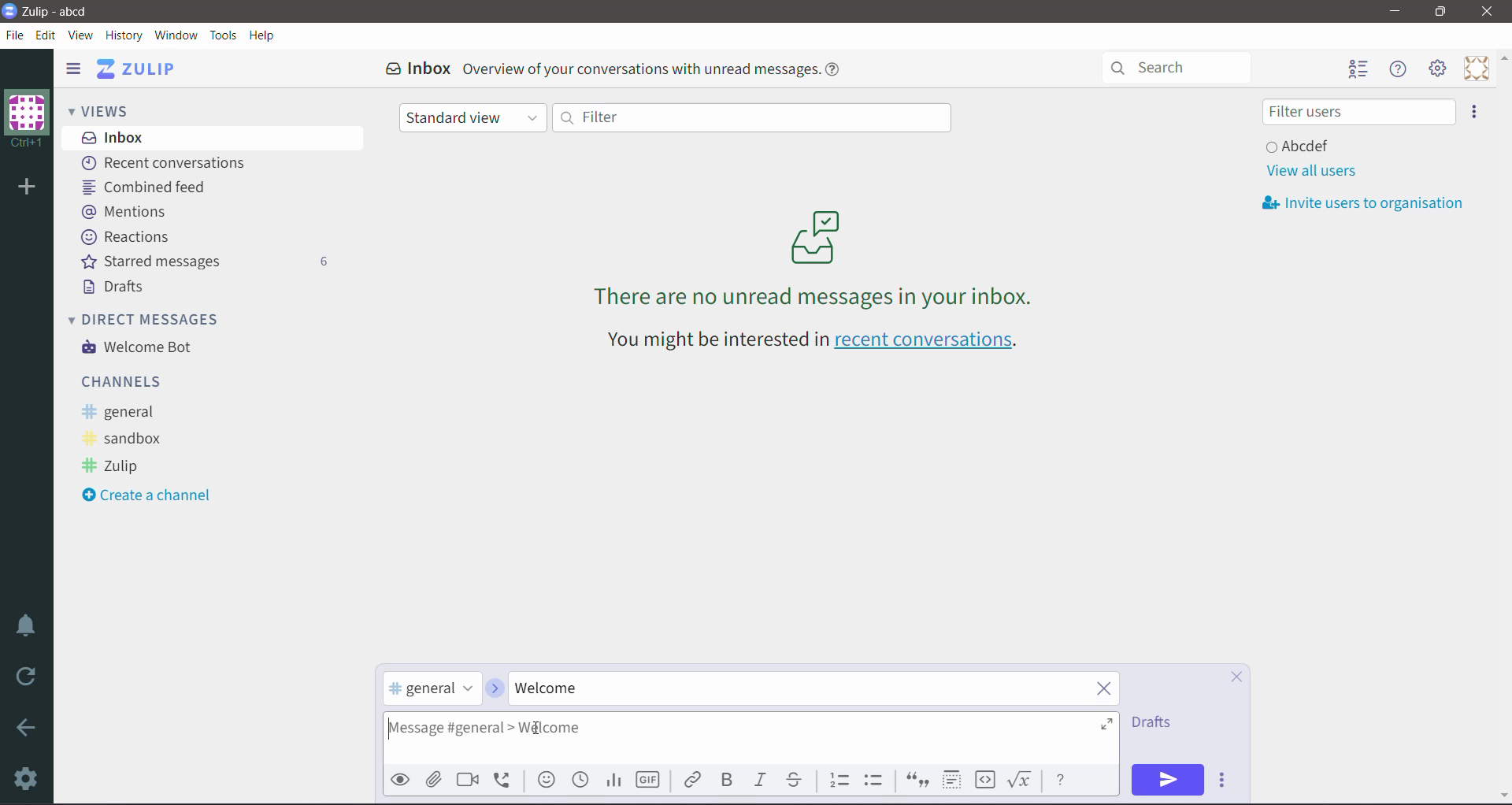 The image size is (1512, 805). Describe the element at coordinates (692, 778) in the screenshot. I see `Link` at that location.